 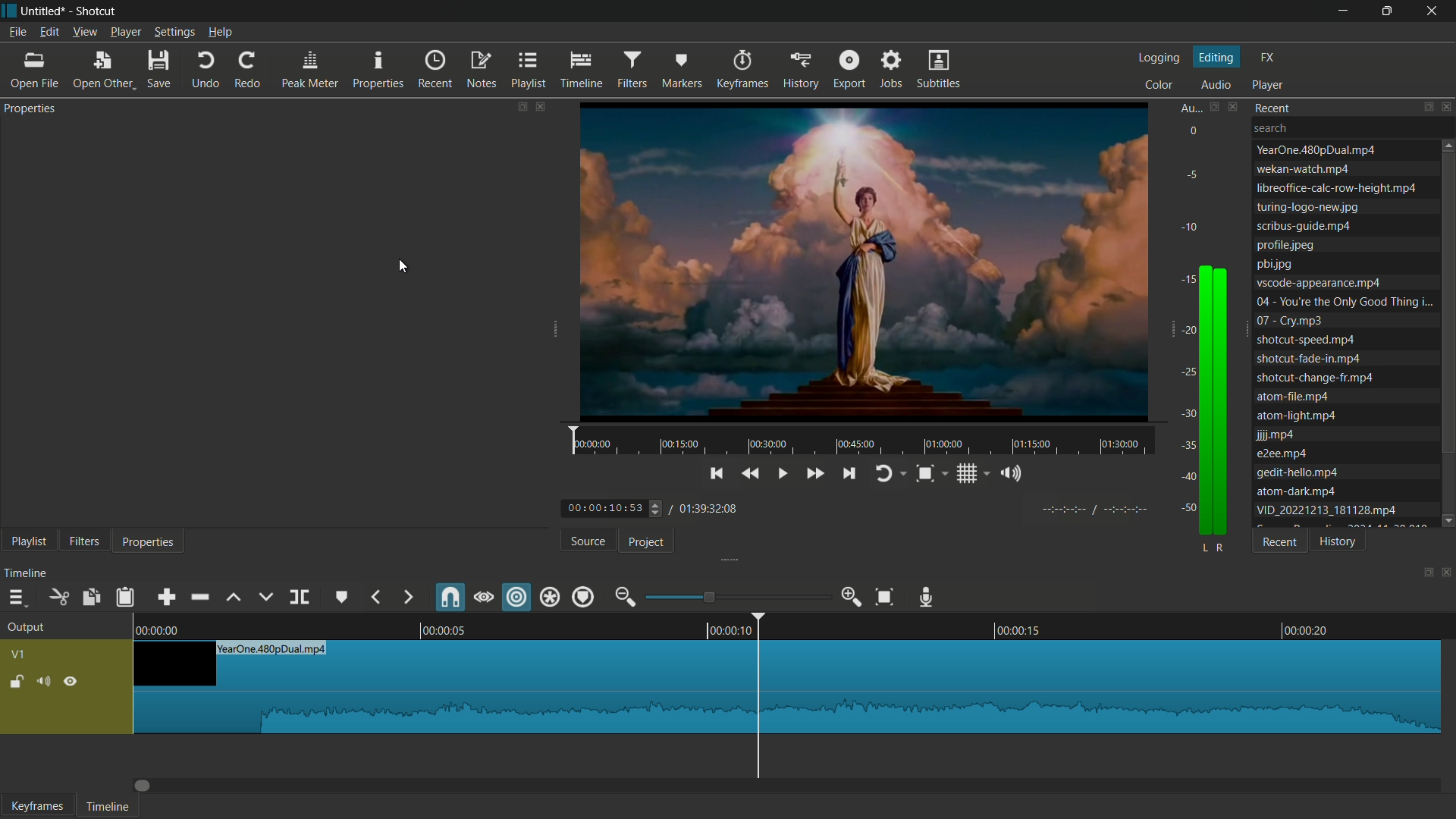 I want to click on playlist, so click(x=24, y=541).